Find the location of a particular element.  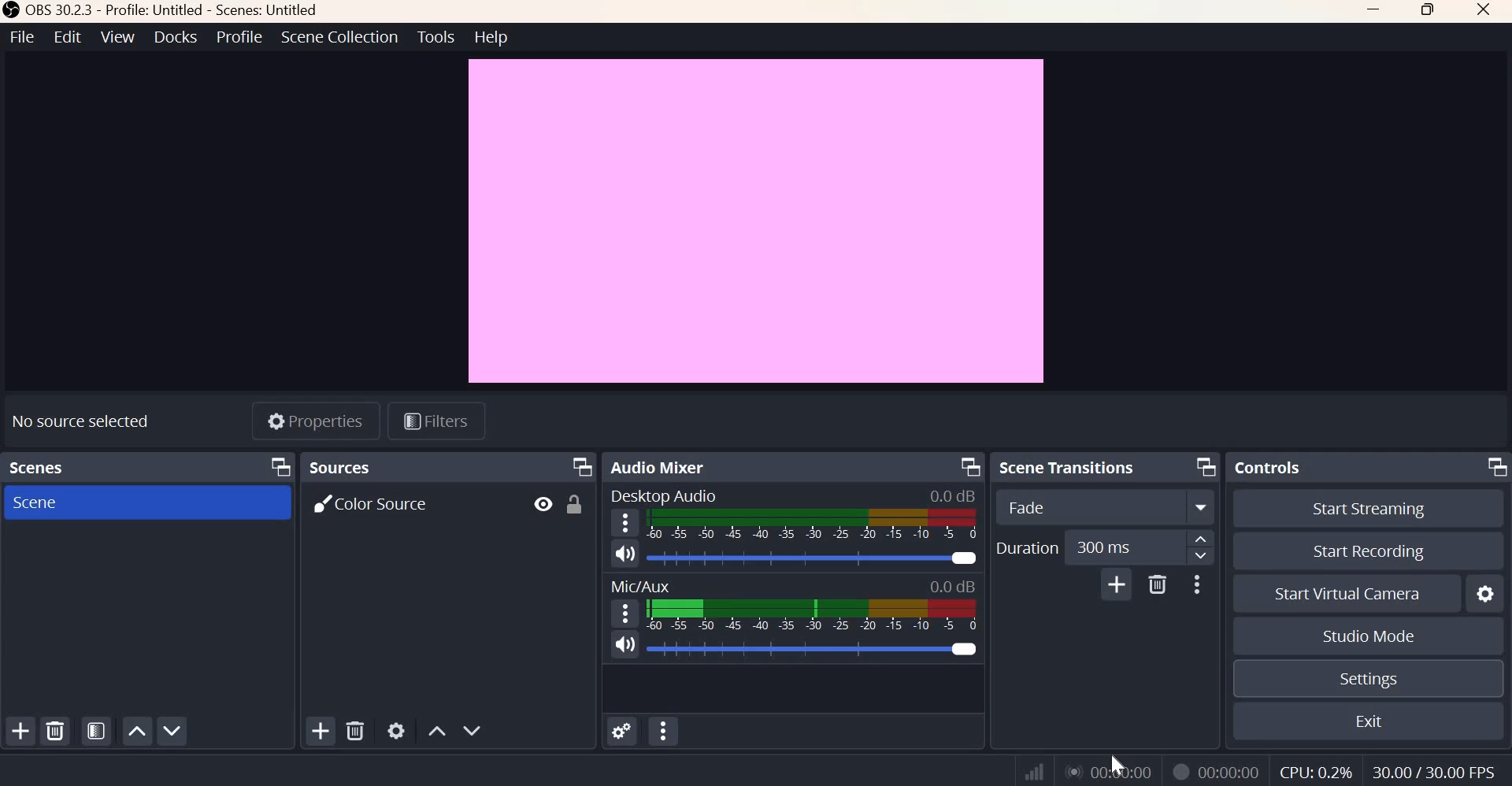

Mic/Aux is located at coordinates (638, 584).